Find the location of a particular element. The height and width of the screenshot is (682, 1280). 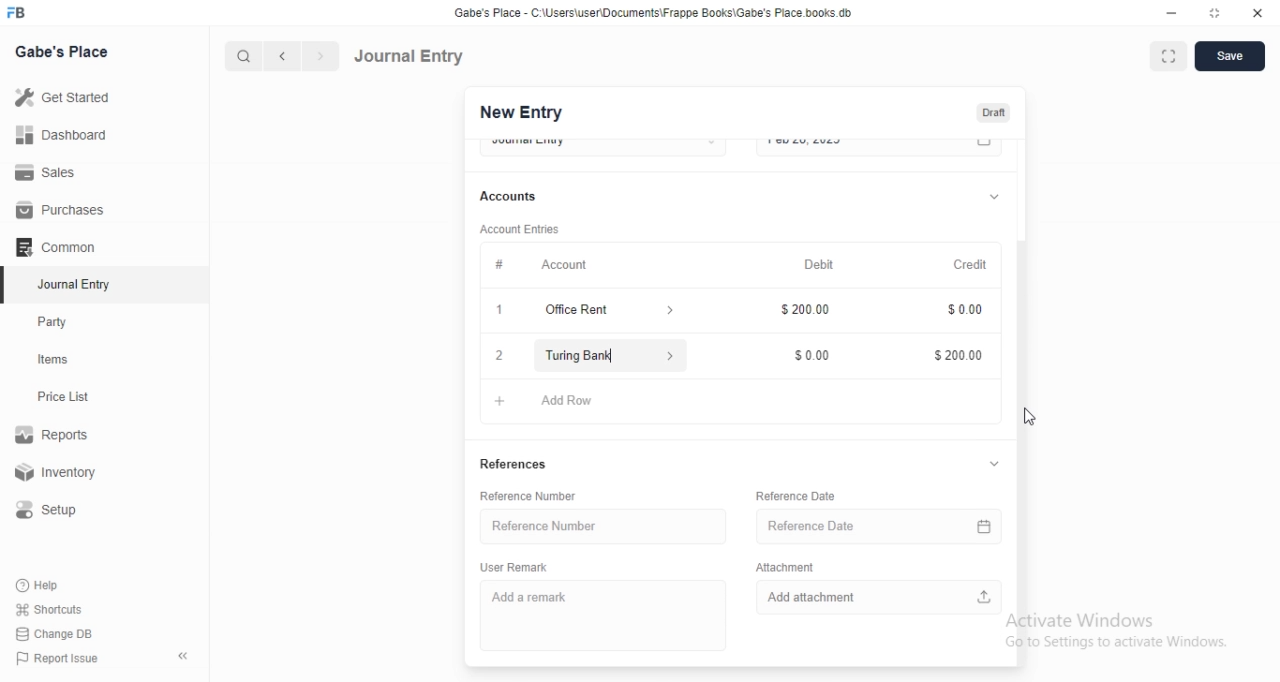

tems is located at coordinates (61, 360).